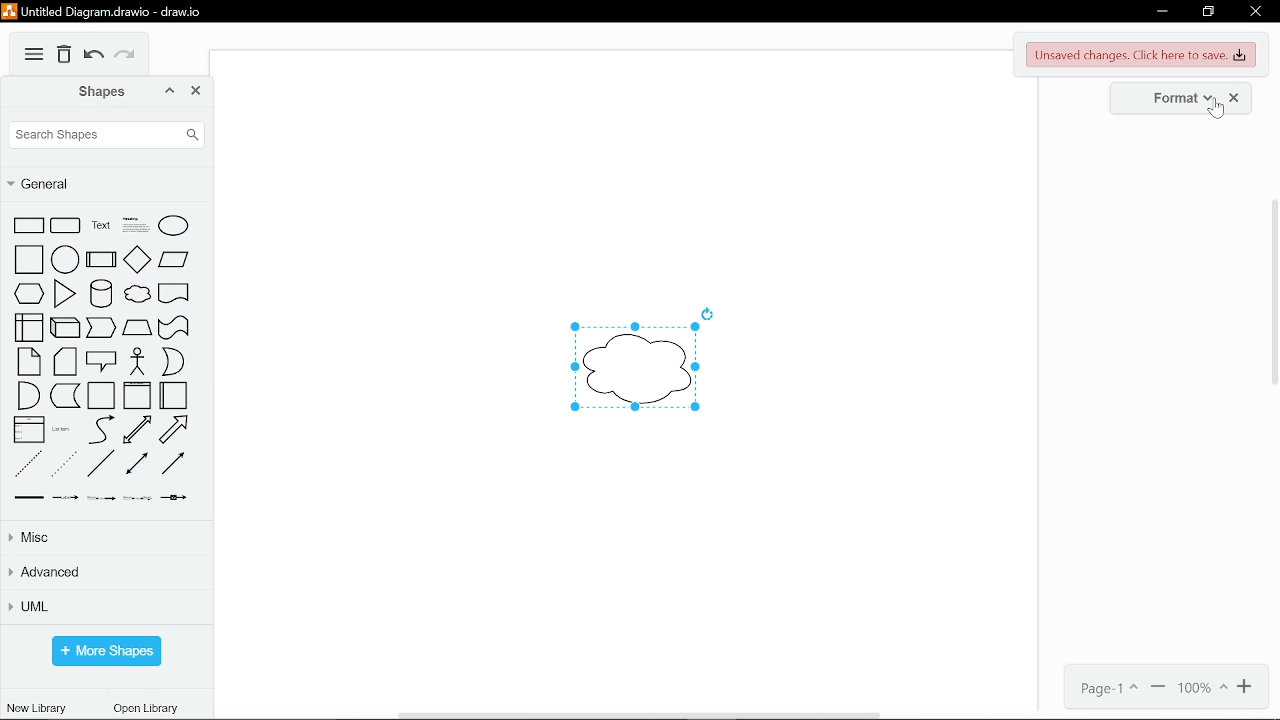  What do you see at coordinates (174, 328) in the screenshot?
I see `tape` at bounding box center [174, 328].